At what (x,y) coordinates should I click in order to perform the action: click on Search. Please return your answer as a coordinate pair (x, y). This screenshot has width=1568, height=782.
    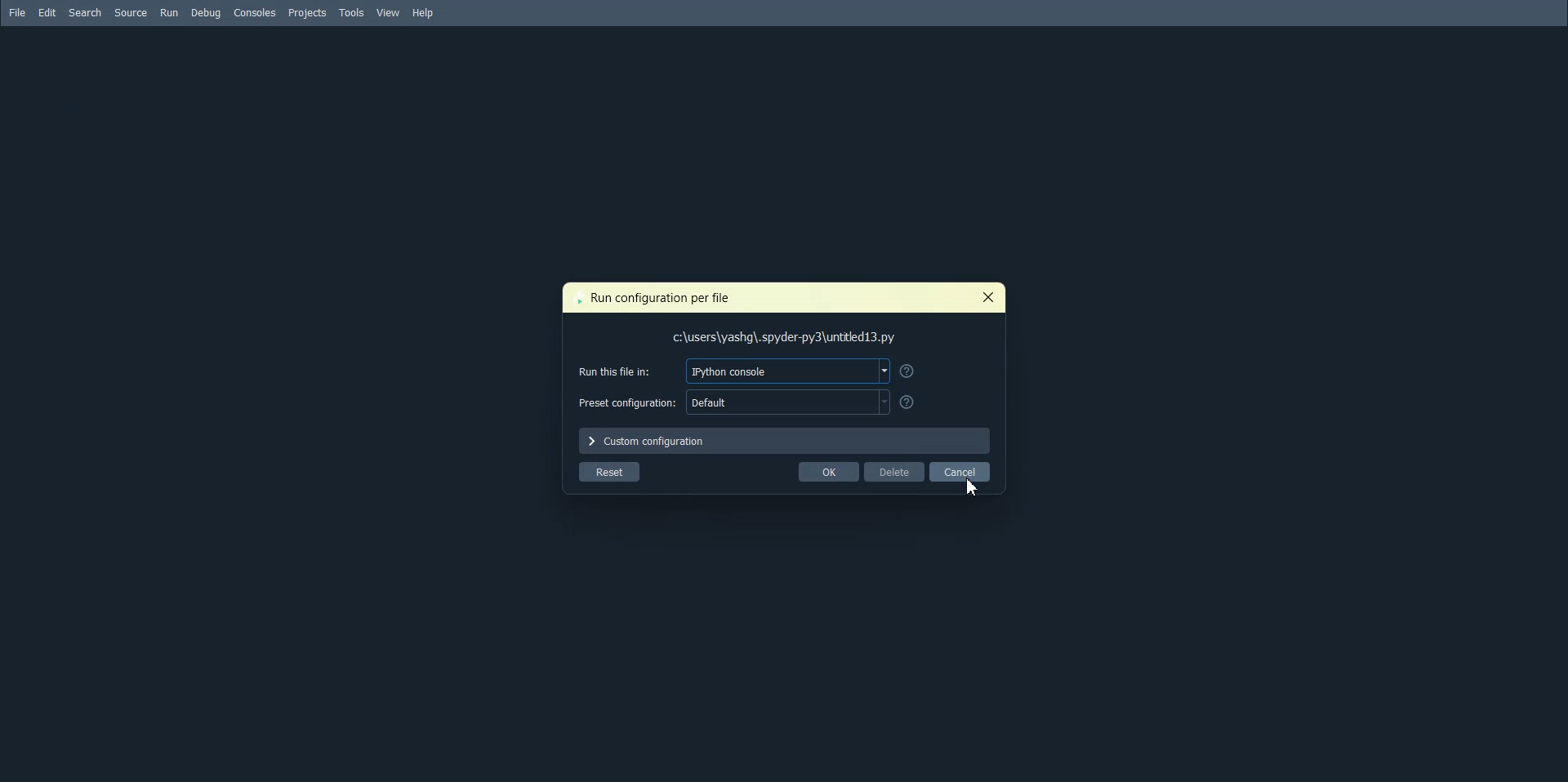
    Looking at the image, I should click on (85, 12).